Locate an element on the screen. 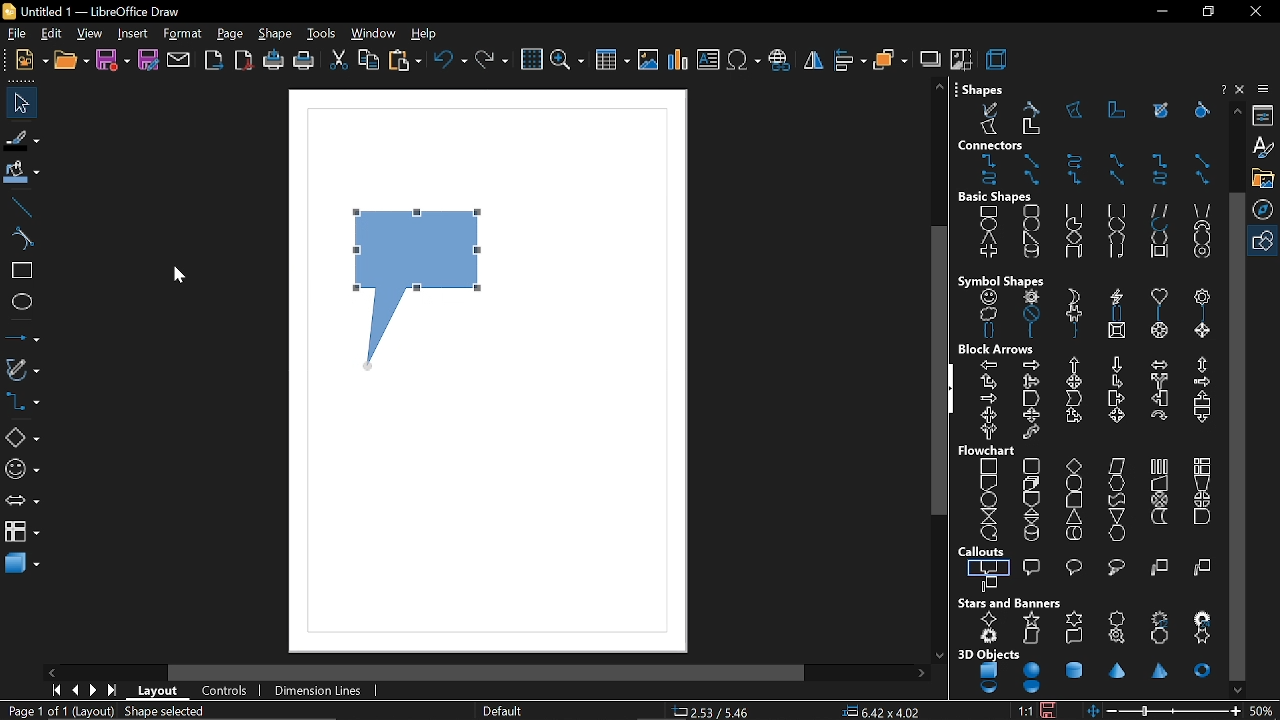 The image size is (1280, 720). help is located at coordinates (429, 35).